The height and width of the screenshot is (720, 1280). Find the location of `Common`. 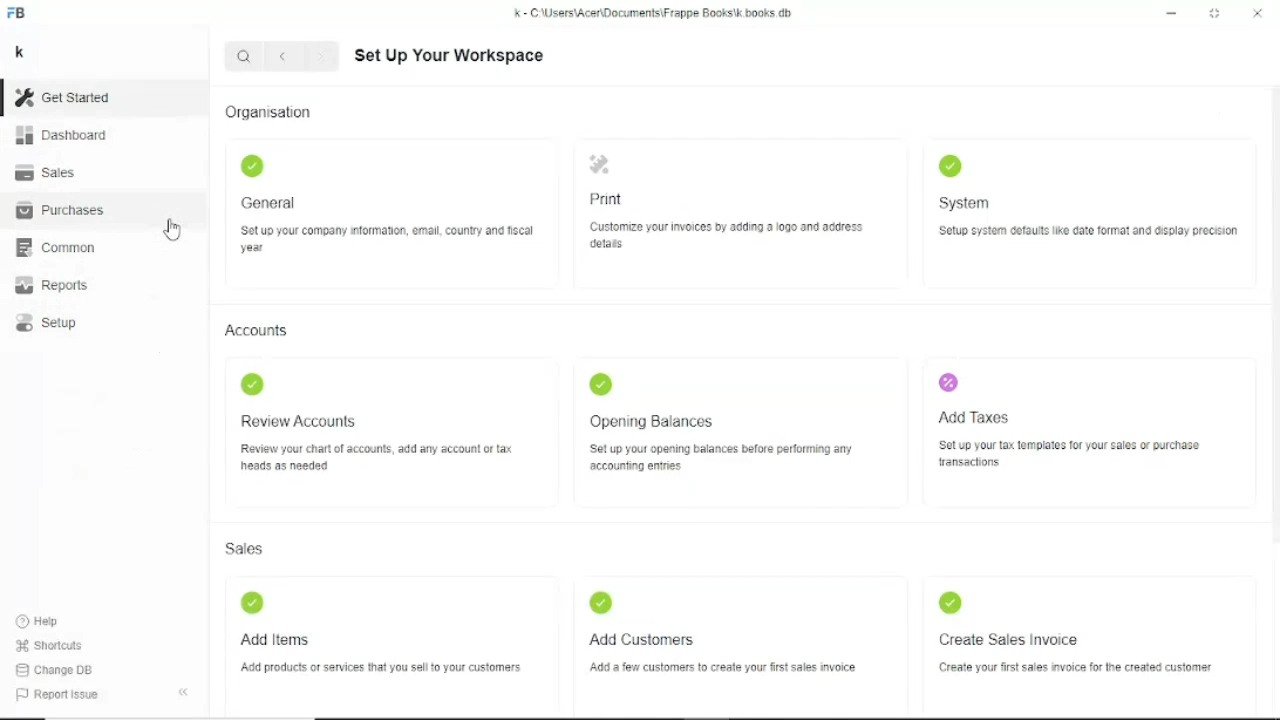

Common is located at coordinates (55, 247).